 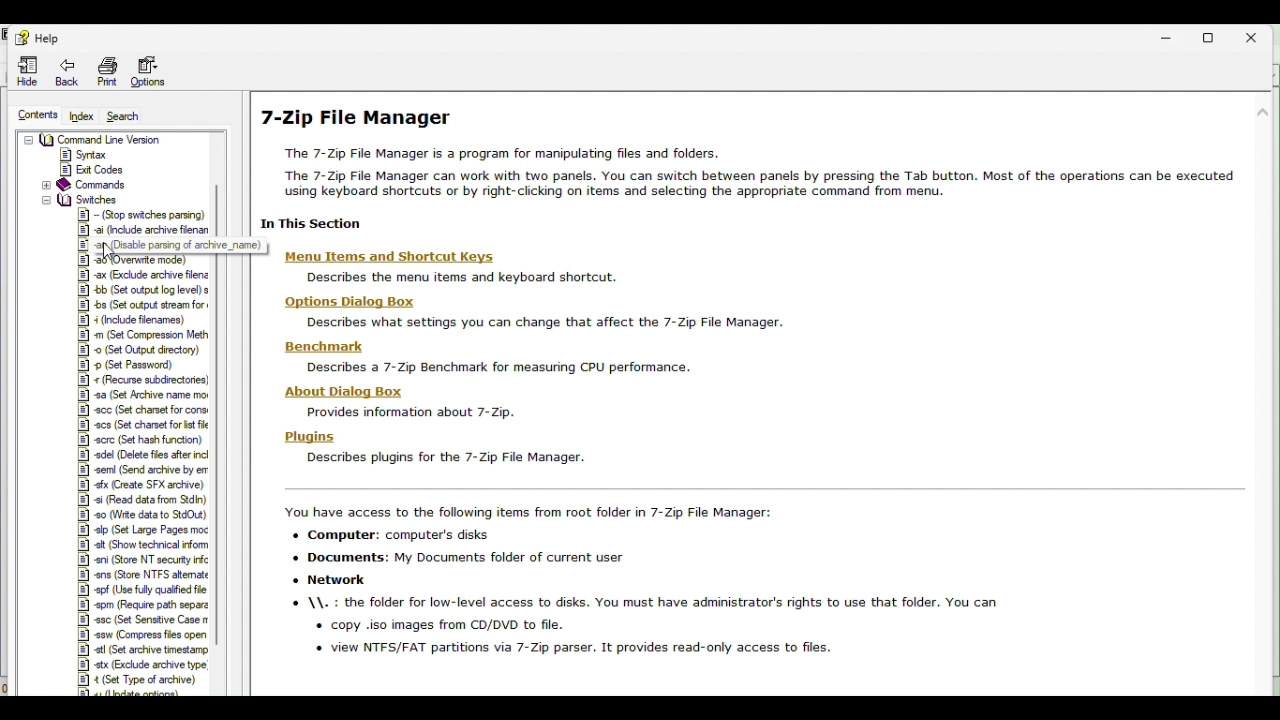 What do you see at coordinates (440, 458) in the screenshot?
I see `Descnbes plugins for the 7-Zip File Manager.` at bounding box center [440, 458].